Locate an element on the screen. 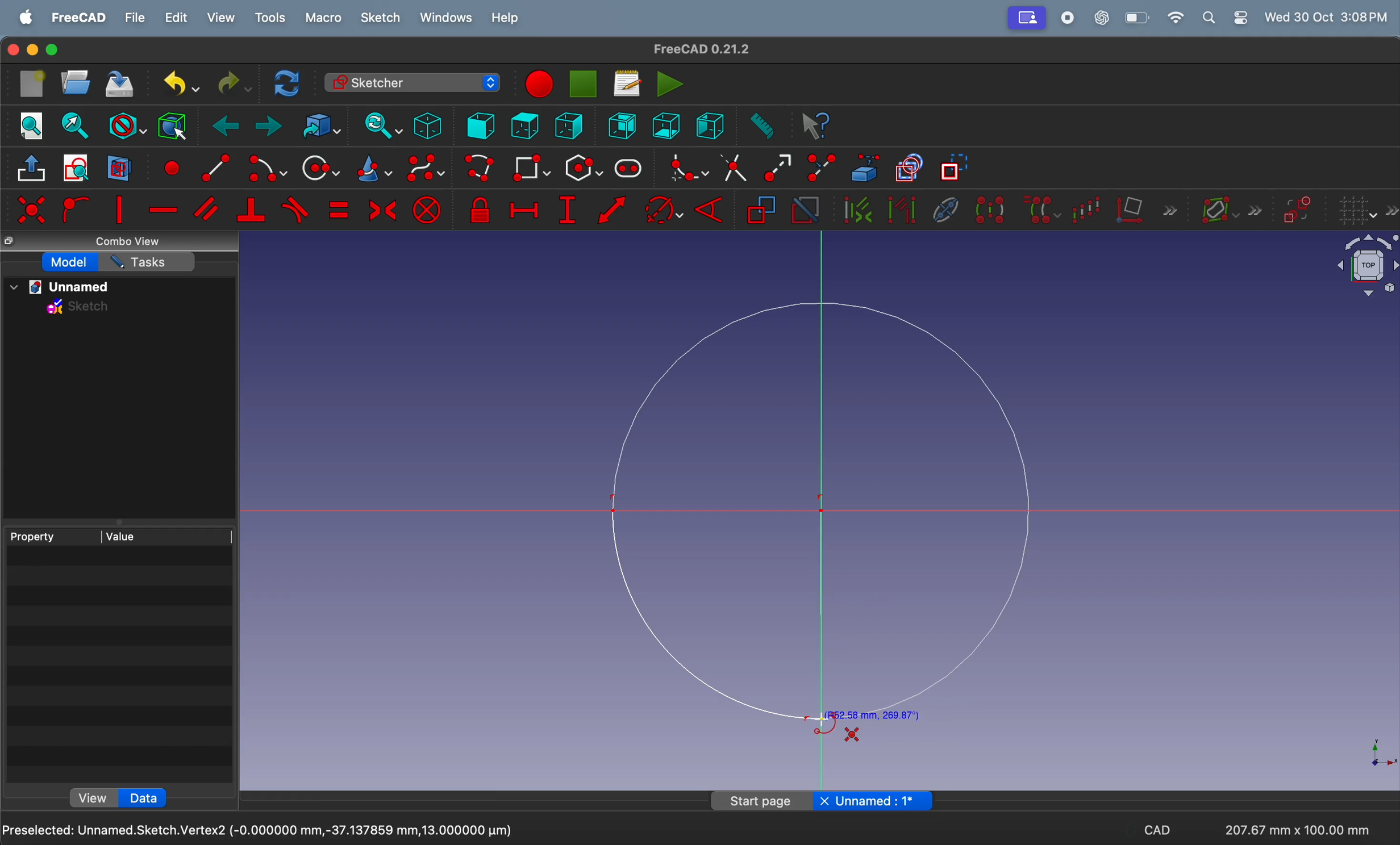 Image resolution: width=1400 pixels, height=845 pixels. symmetry is located at coordinates (989, 209).